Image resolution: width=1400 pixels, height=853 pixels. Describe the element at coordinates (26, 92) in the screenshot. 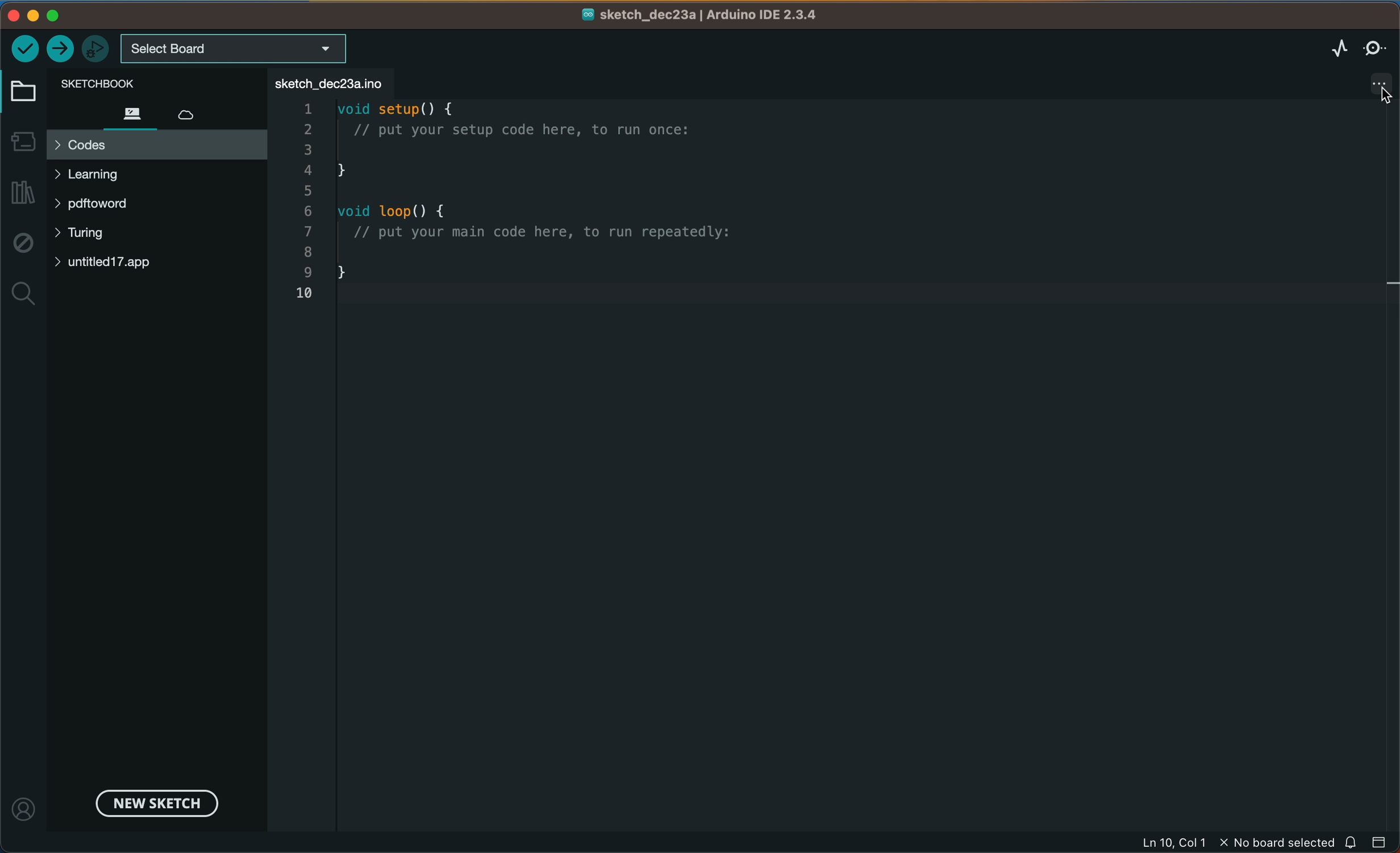

I see `folder` at that location.